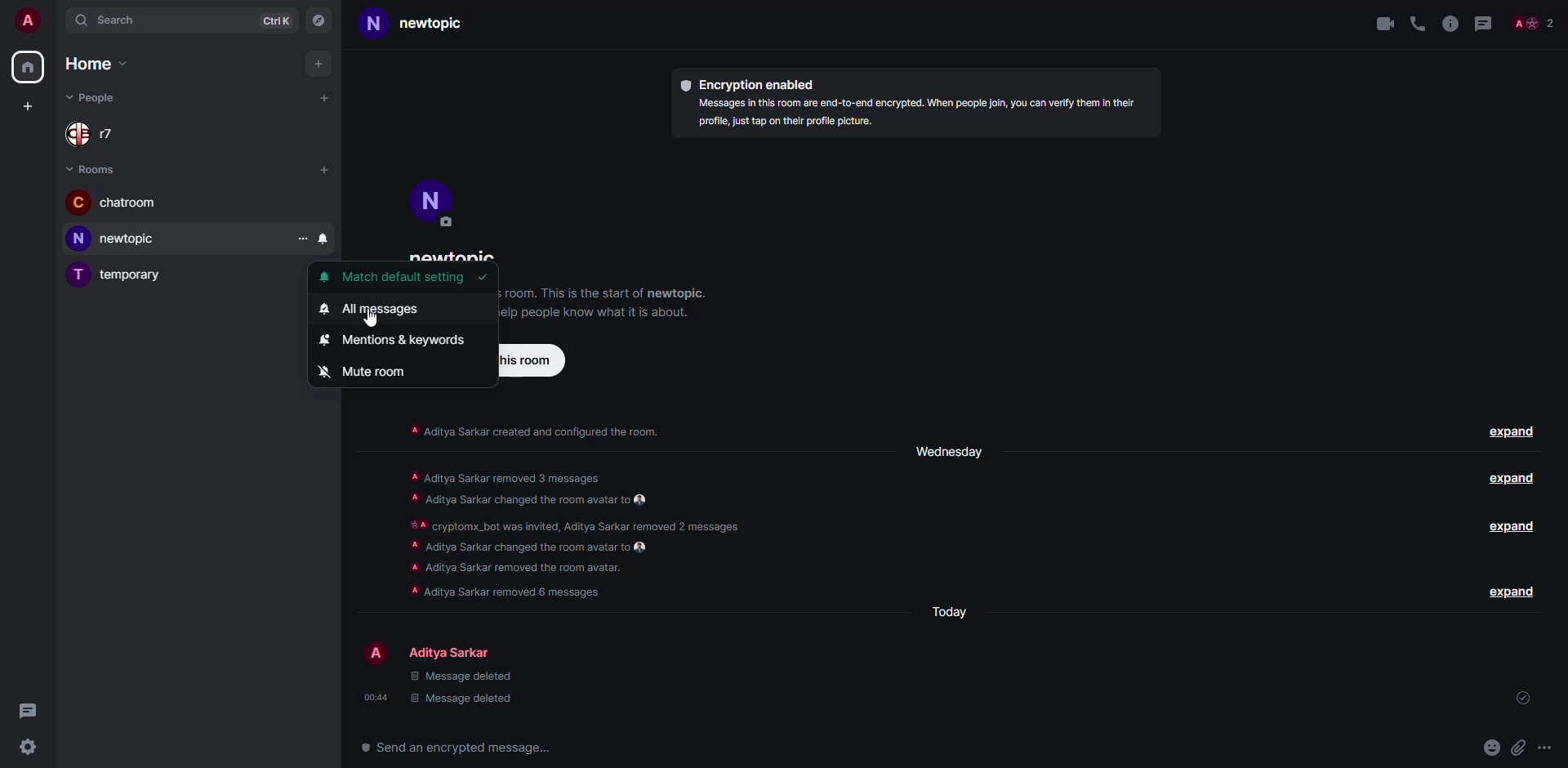 The width and height of the screenshot is (1568, 768). I want to click on room, so click(116, 273).